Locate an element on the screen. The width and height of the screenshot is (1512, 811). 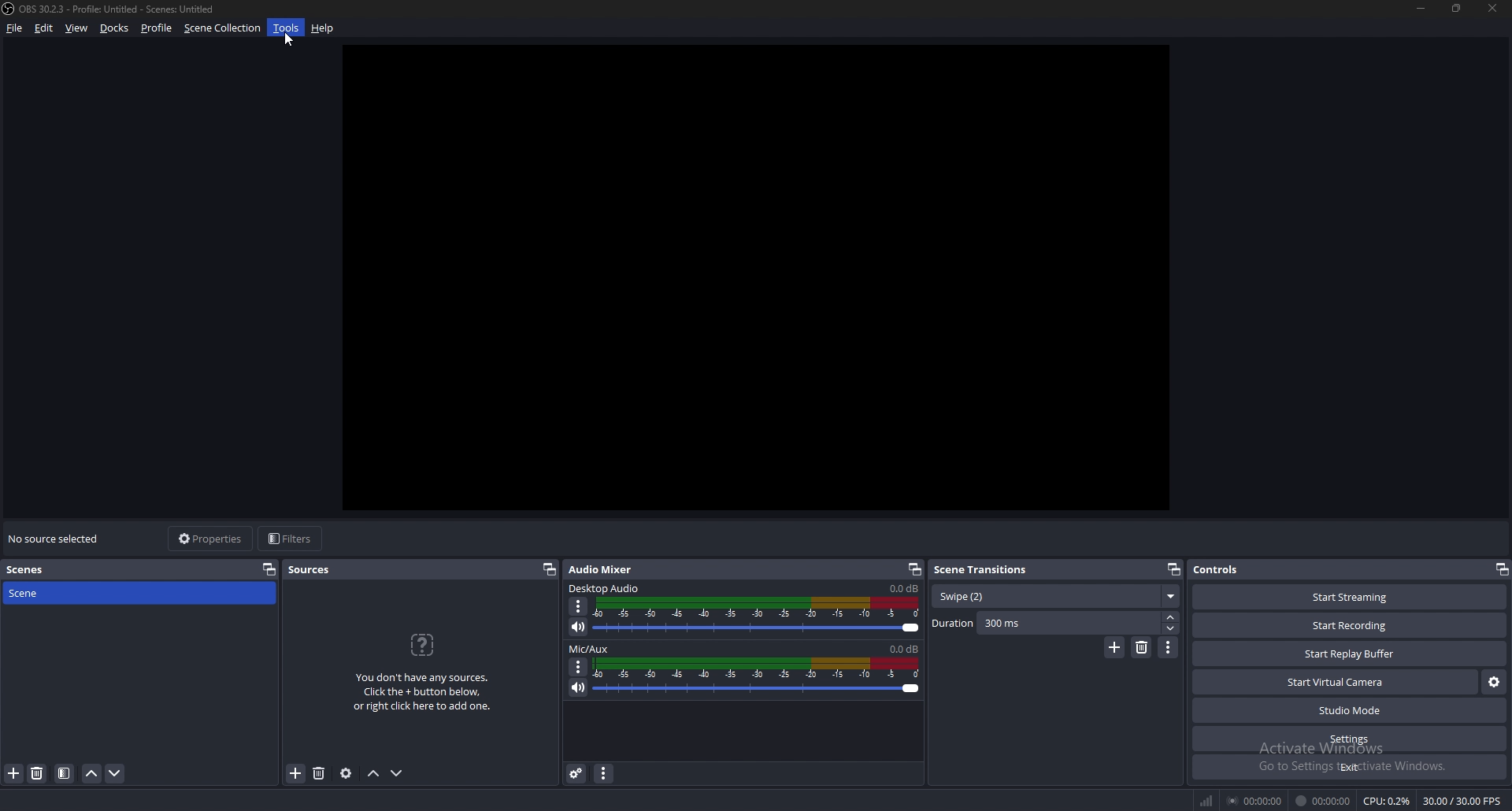
exit is located at coordinates (1350, 767).